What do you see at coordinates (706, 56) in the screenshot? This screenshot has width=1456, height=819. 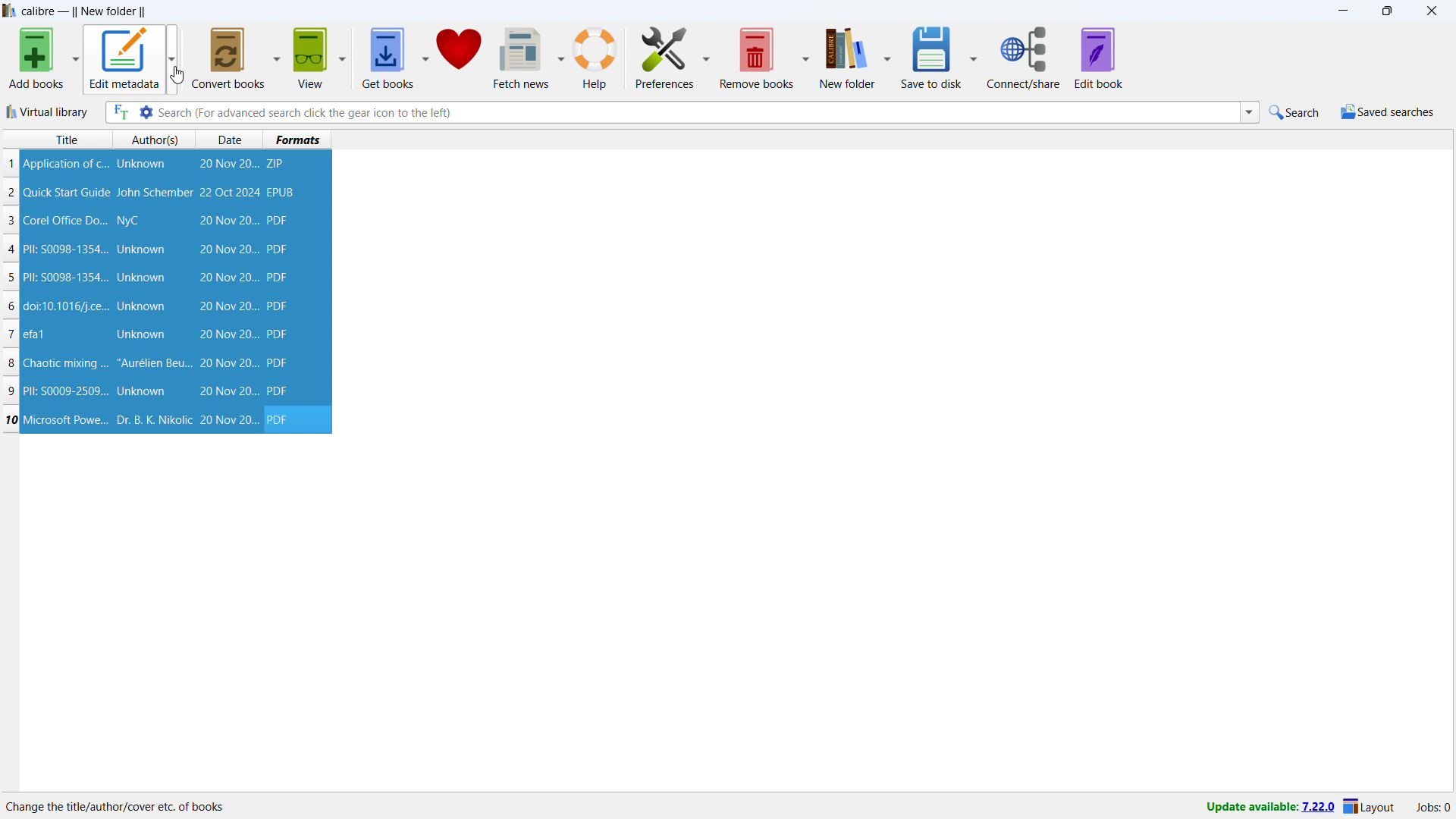 I see `preferences options` at bounding box center [706, 56].